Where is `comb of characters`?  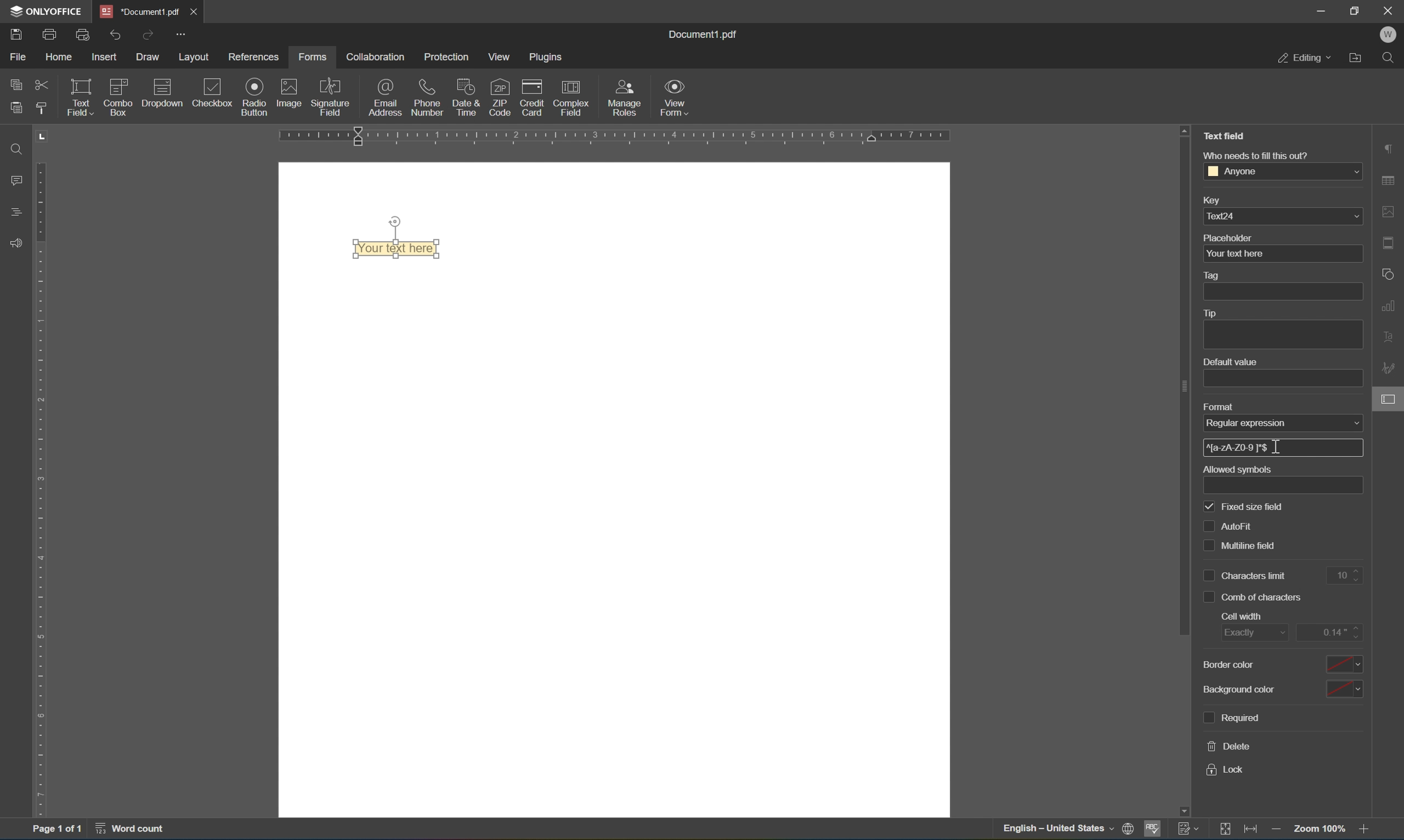 comb of characters is located at coordinates (1253, 598).